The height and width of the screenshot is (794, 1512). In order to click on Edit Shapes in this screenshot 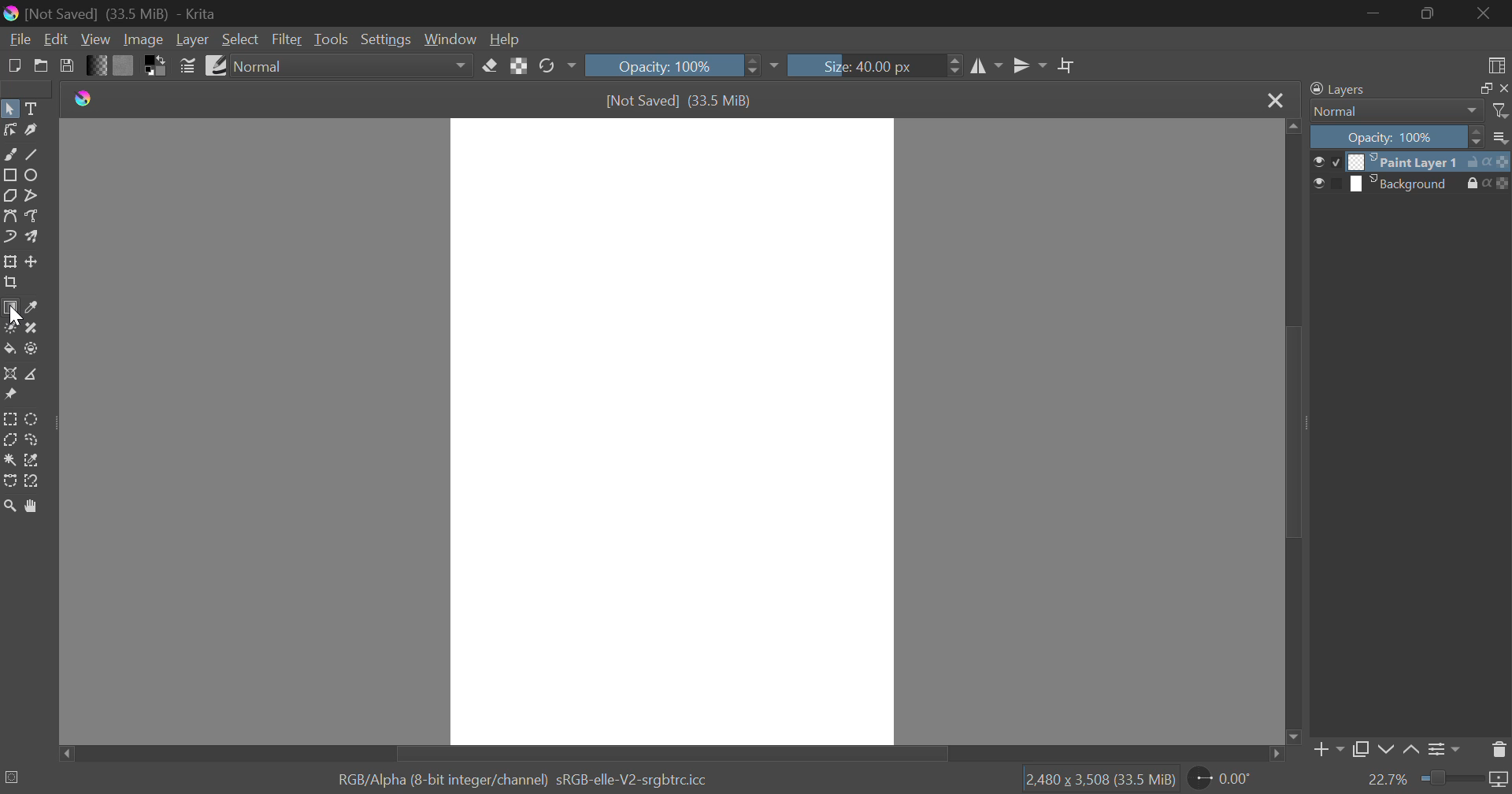, I will do `click(9, 130)`.